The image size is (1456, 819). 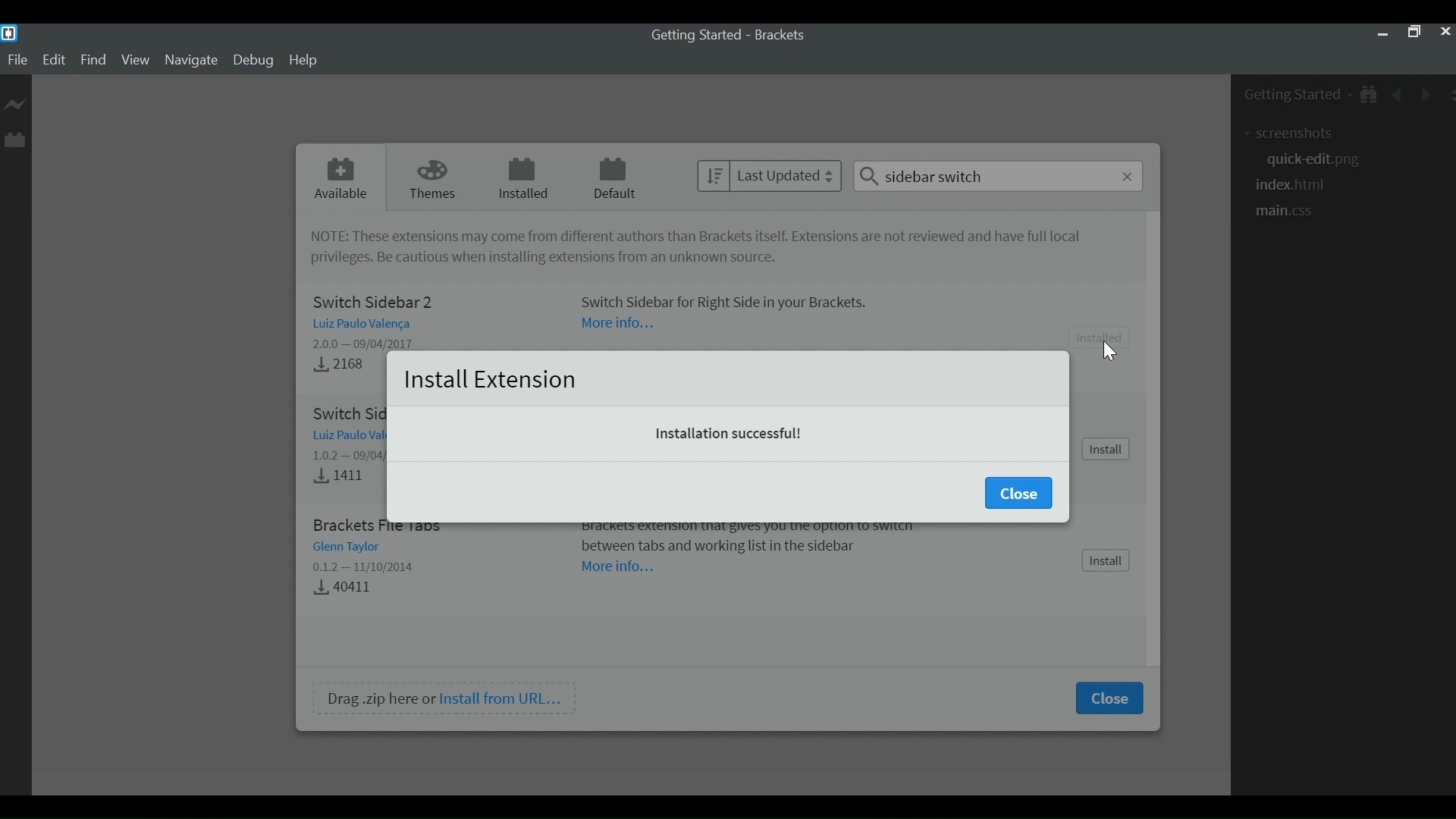 What do you see at coordinates (497, 381) in the screenshot?
I see `Install Extension` at bounding box center [497, 381].